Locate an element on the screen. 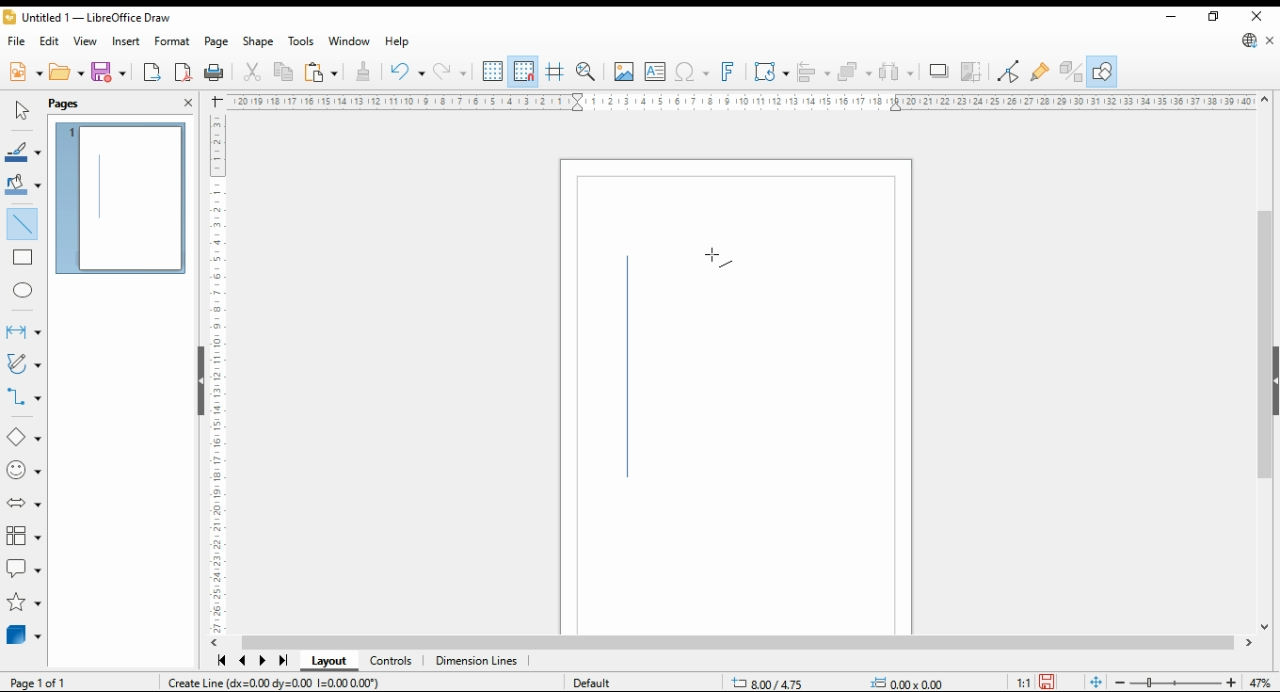 The height and width of the screenshot is (692, 1280). ellipse is located at coordinates (23, 288).